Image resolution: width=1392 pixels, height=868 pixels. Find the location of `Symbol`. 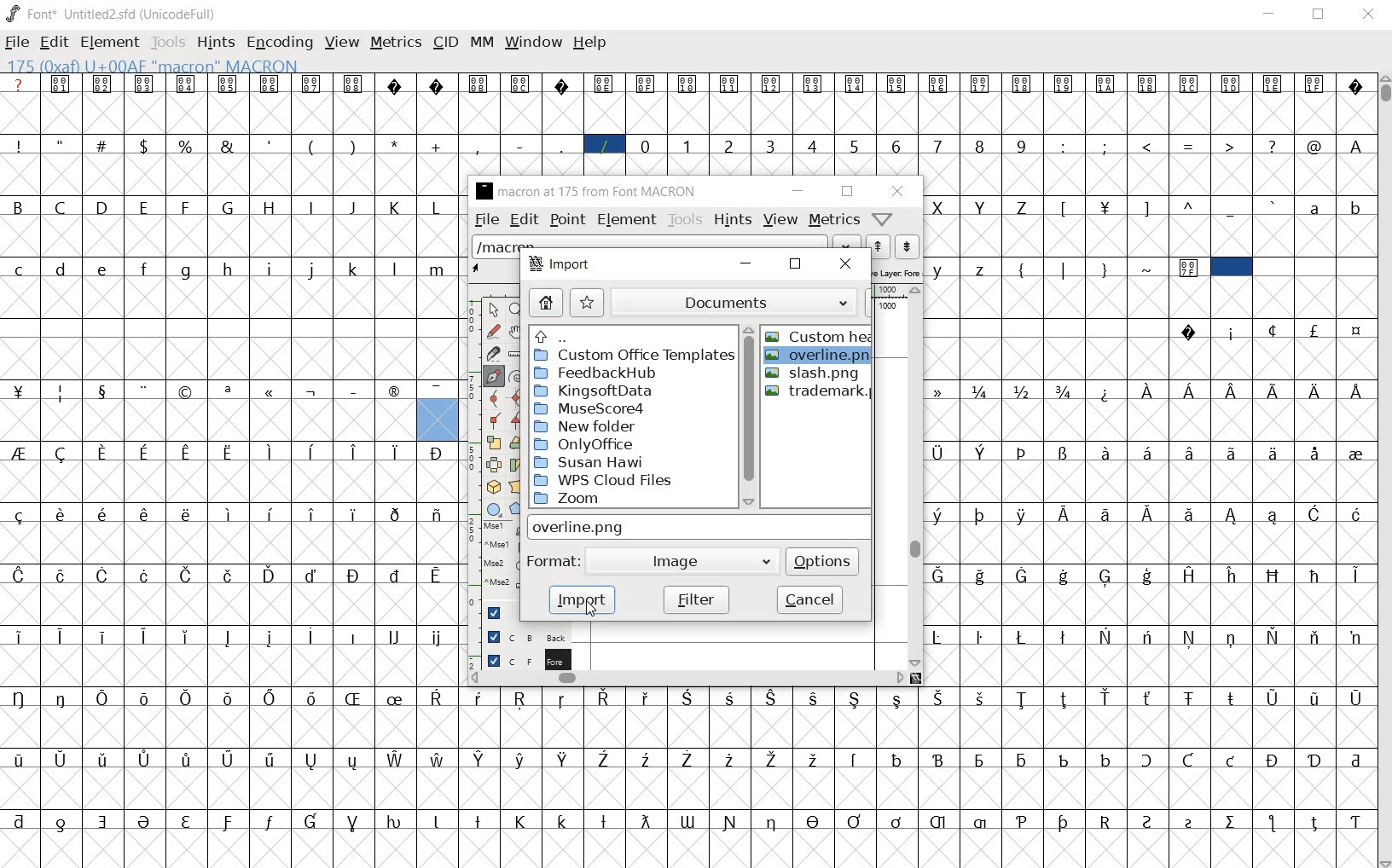

Symbol is located at coordinates (561, 84).